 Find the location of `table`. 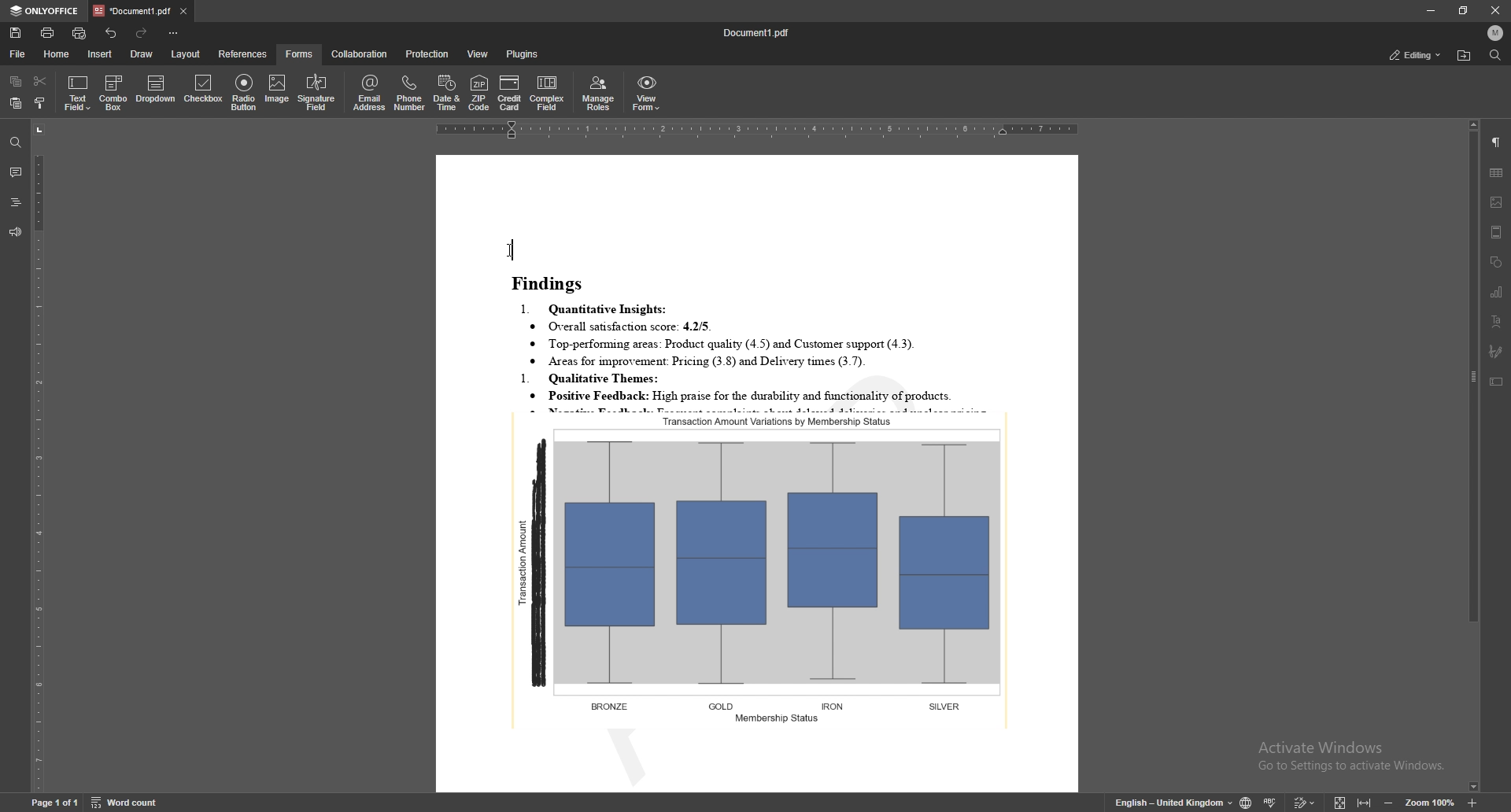

table is located at coordinates (1497, 172).